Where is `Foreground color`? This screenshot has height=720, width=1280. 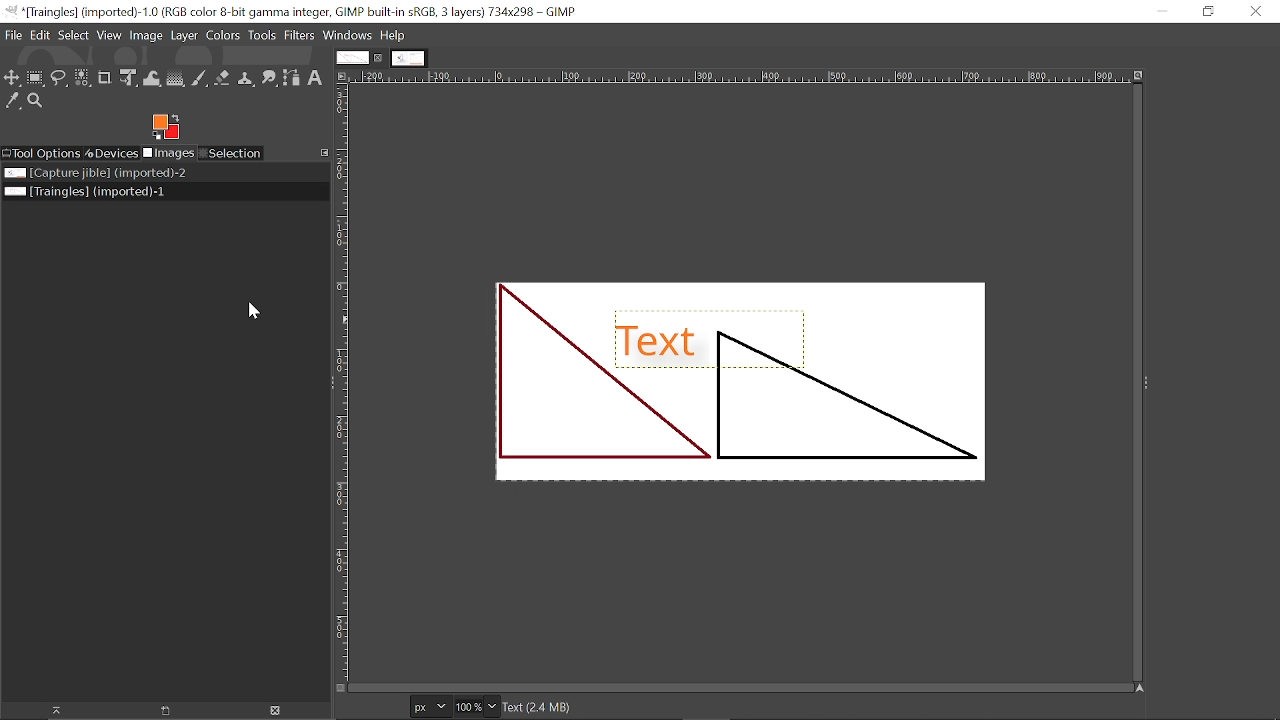 Foreground color is located at coordinates (168, 126).